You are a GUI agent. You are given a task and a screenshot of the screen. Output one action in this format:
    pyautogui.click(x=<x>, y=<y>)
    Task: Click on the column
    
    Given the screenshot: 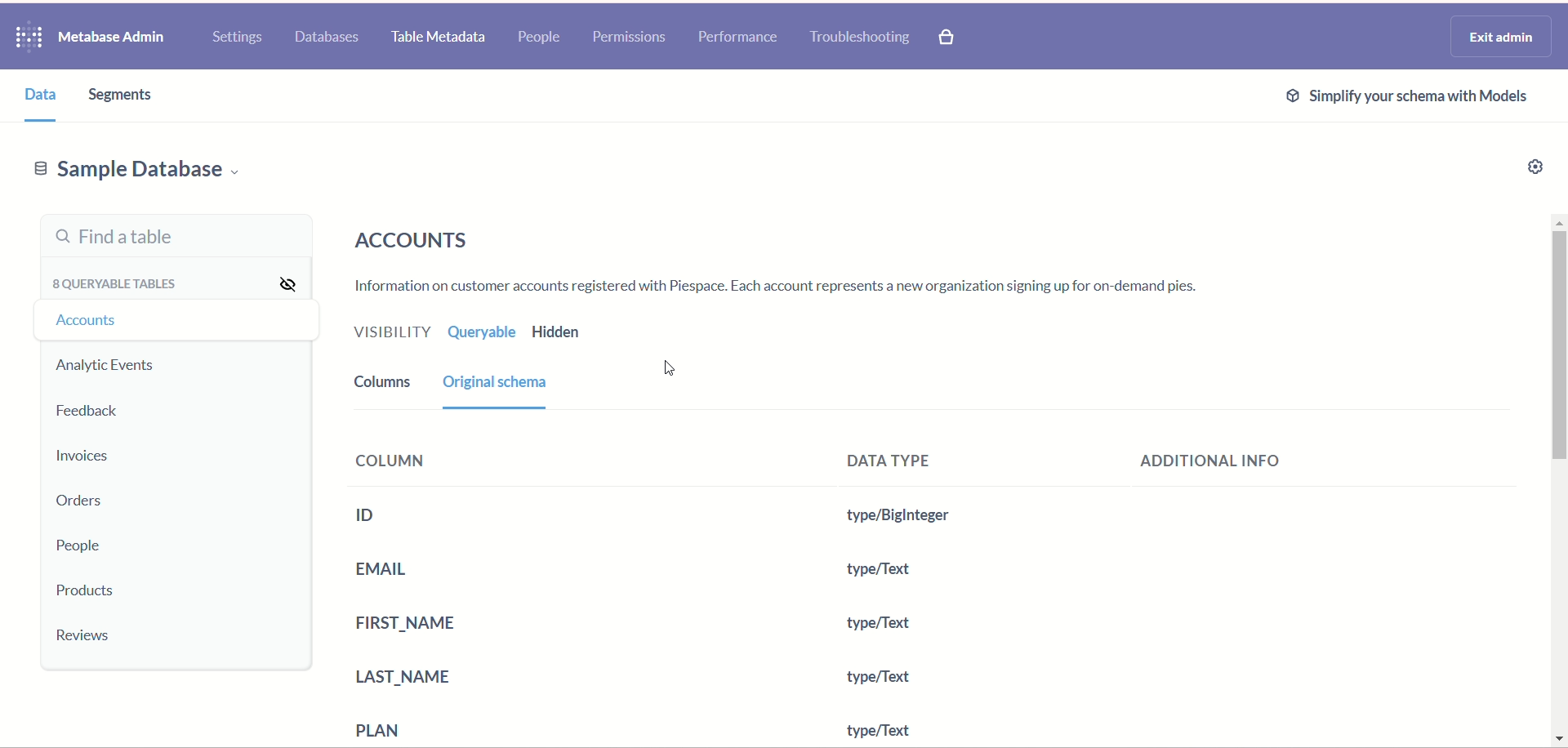 What is the action you would take?
    pyautogui.click(x=394, y=461)
    